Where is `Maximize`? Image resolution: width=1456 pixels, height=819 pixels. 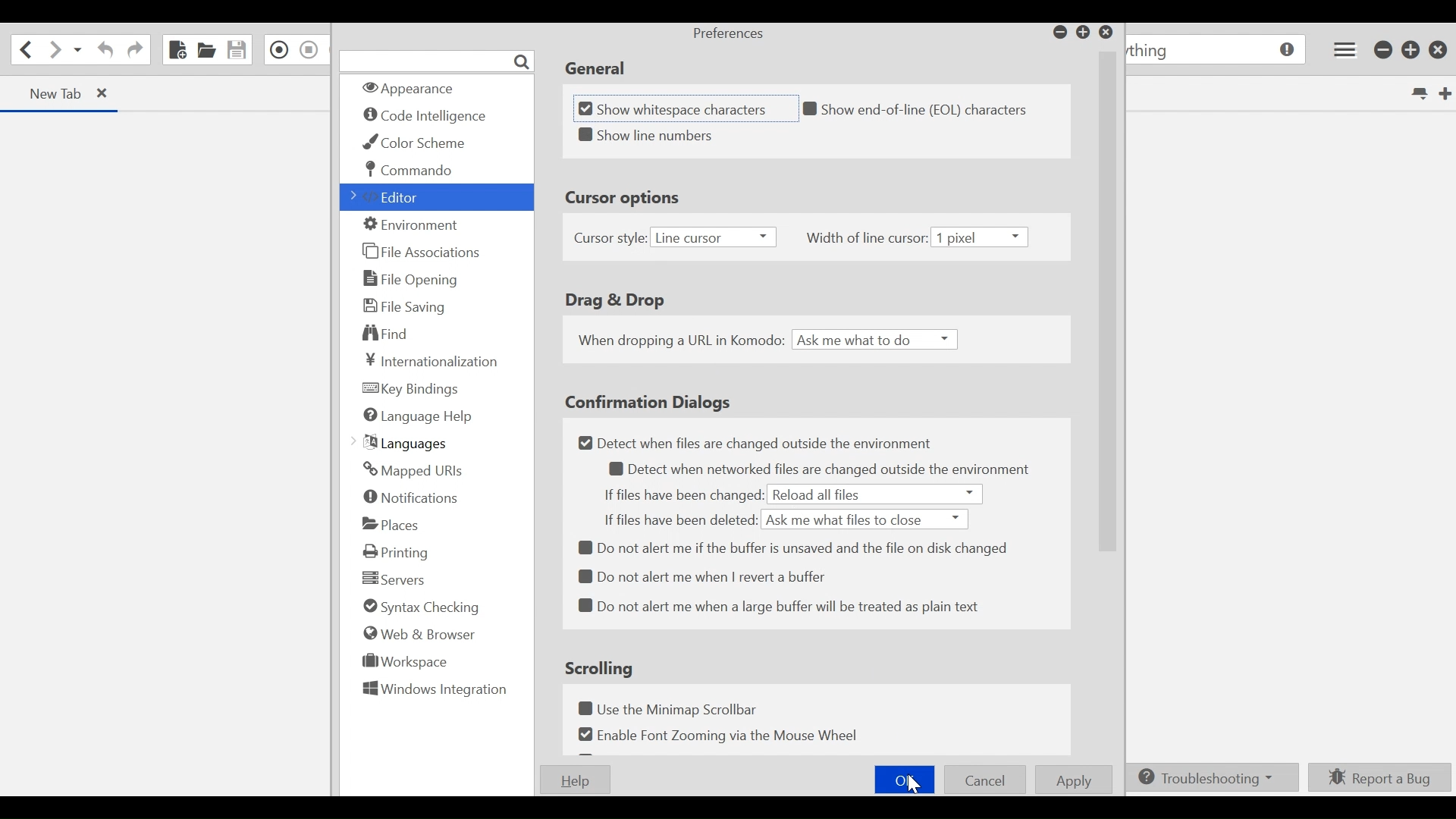 Maximize is located at coordinates (1084, 33).